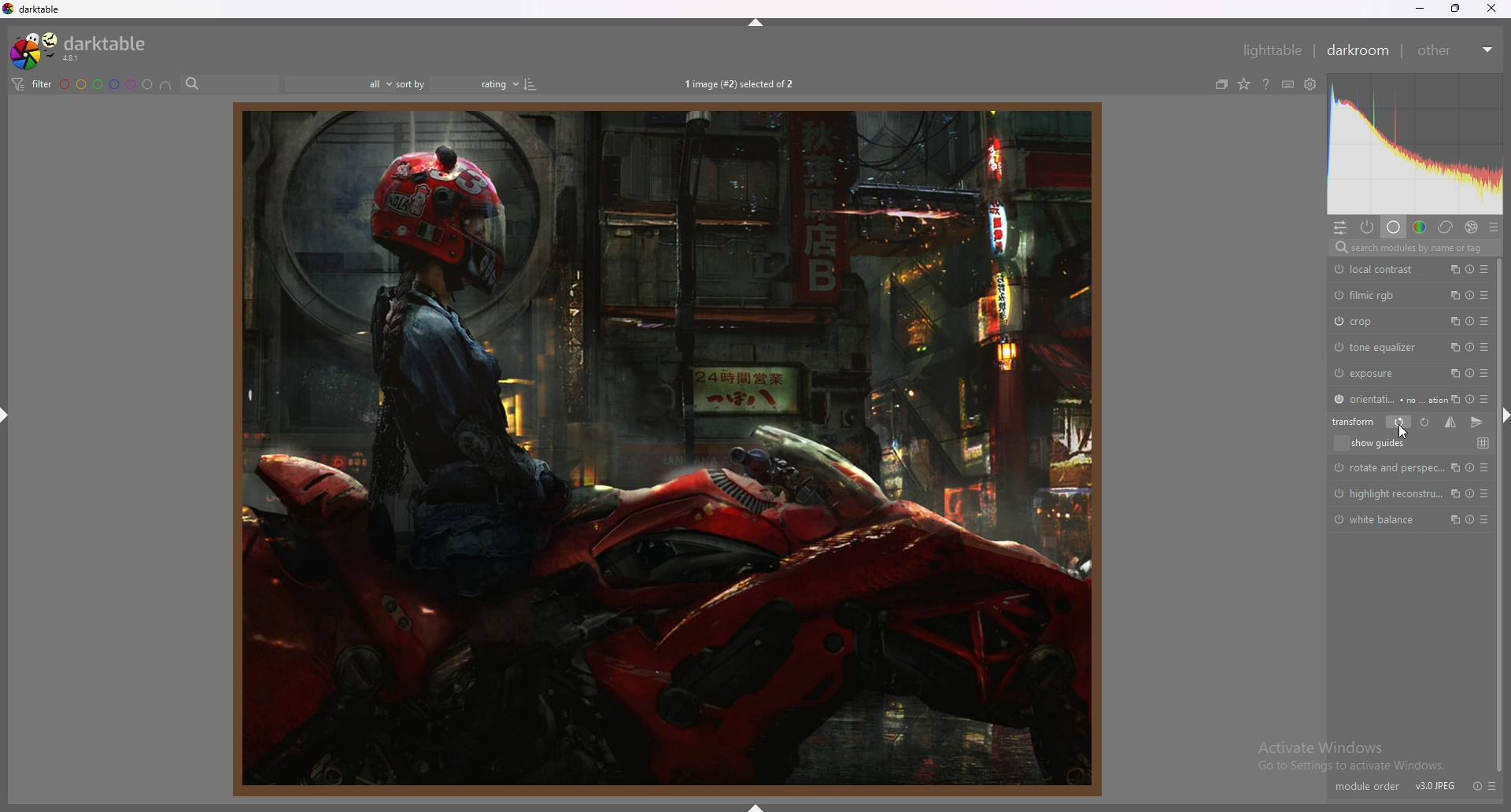  Describe the element at coordinates (757, 806) in the screenshot. I see `hide` at that location.